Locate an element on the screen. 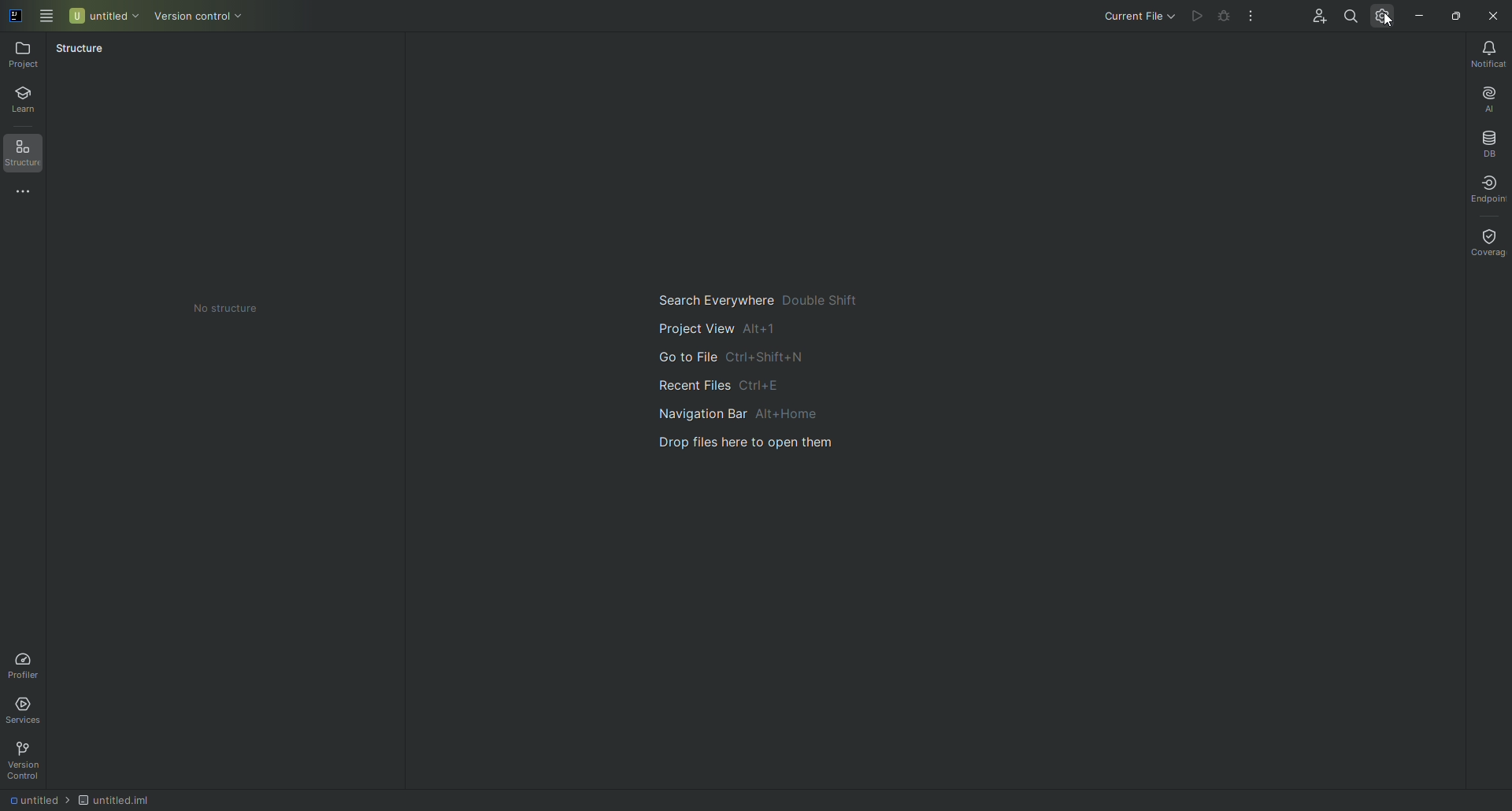 The height and width of the screenshot is (811, 1512). Learn is located at coordinates (29, 102).